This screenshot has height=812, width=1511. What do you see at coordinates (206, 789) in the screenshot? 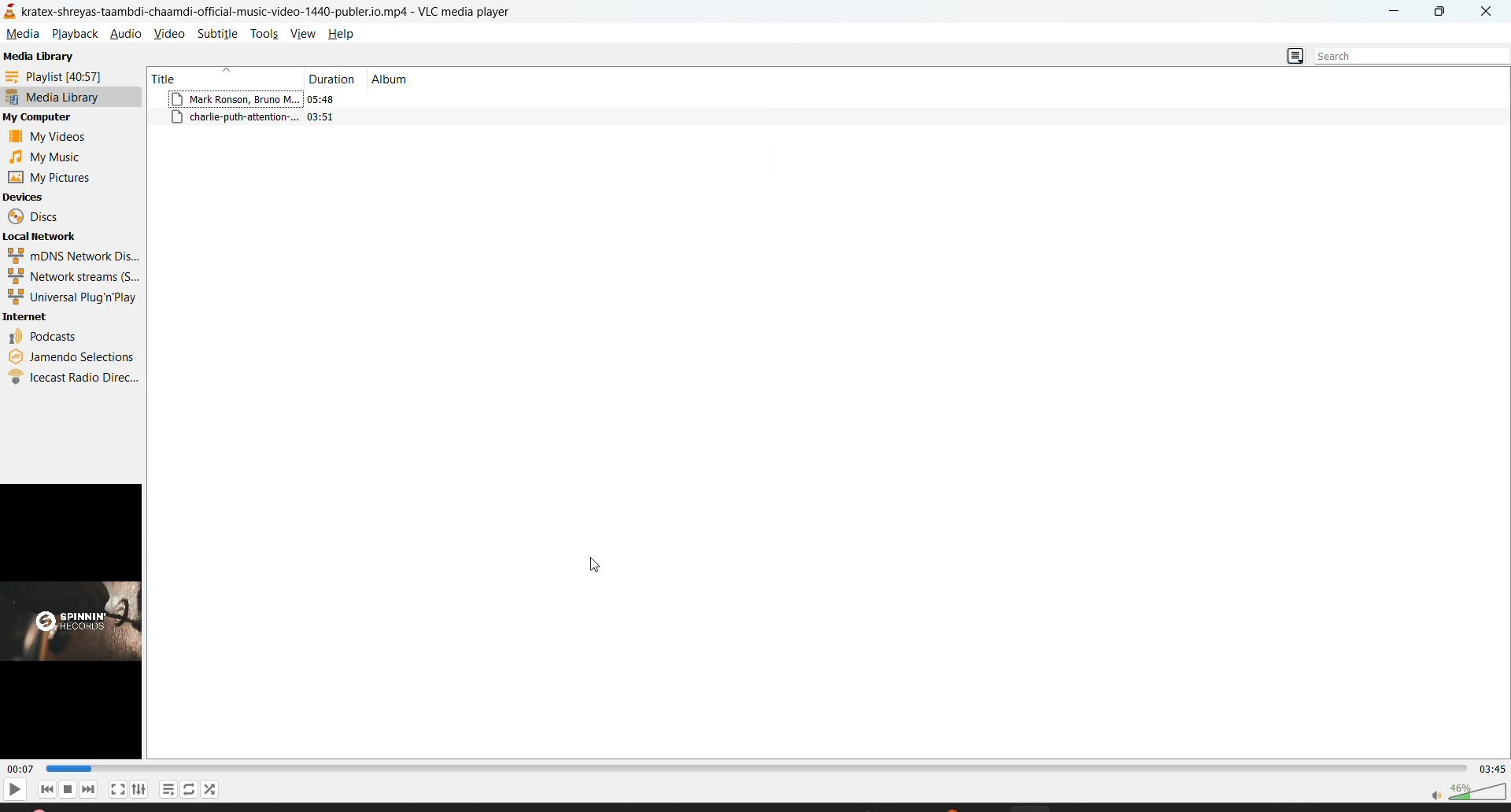
I see `random` at bounding box center [206, 789].